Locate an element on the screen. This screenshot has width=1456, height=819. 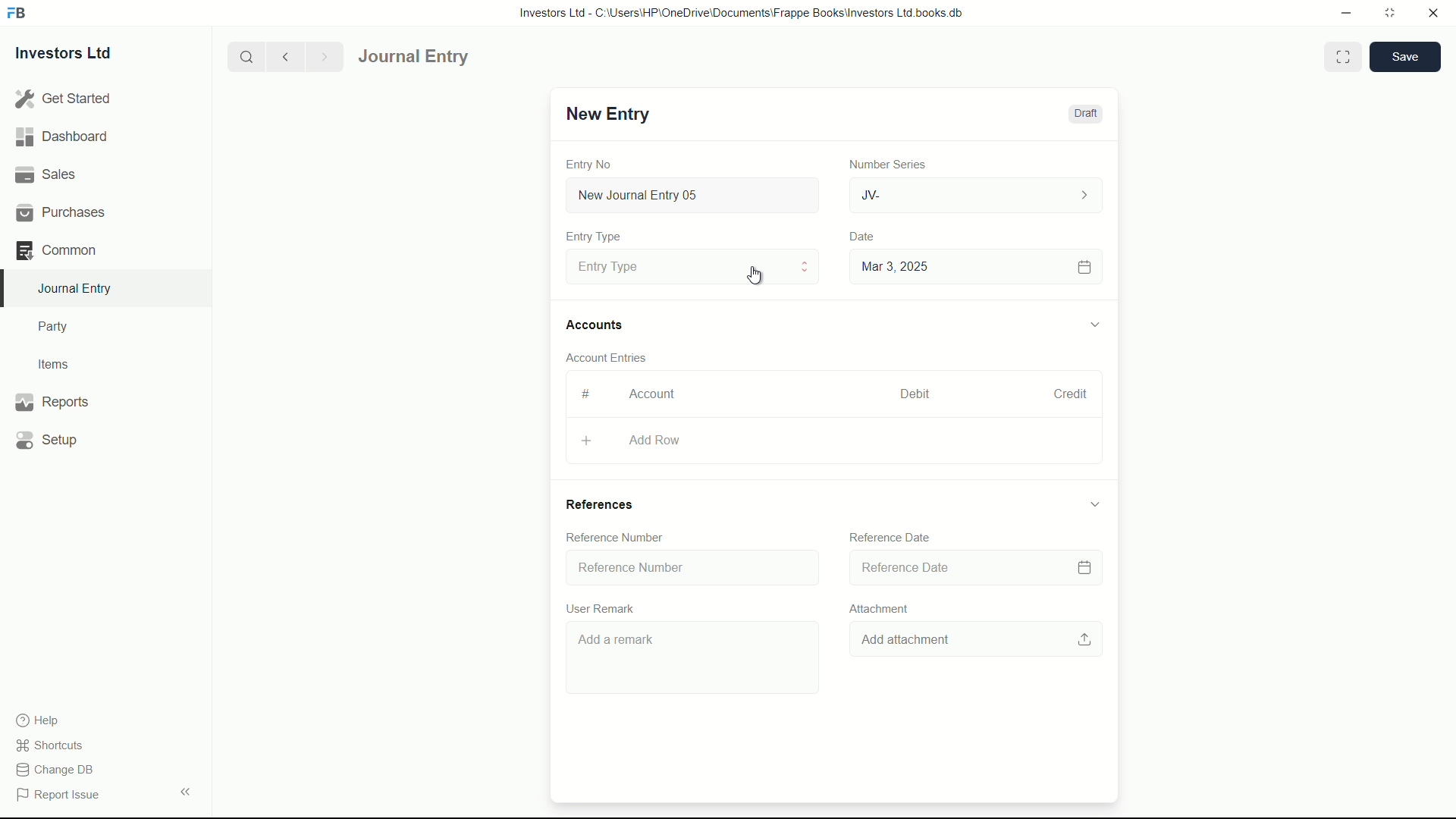
Attachment is located at coordinates (880, 608).